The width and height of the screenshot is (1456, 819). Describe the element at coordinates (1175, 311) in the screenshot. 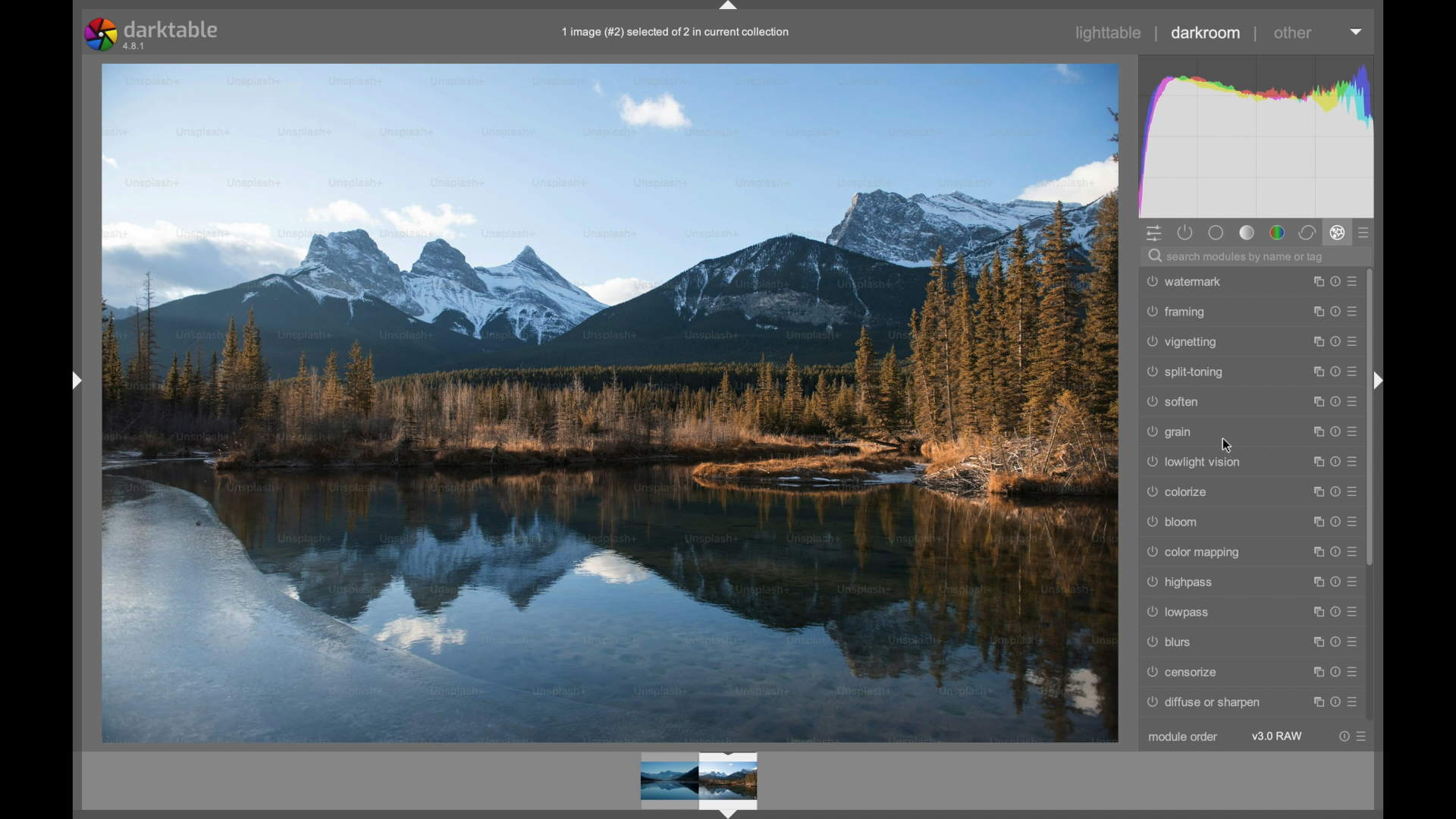

I see `framing` at that location.